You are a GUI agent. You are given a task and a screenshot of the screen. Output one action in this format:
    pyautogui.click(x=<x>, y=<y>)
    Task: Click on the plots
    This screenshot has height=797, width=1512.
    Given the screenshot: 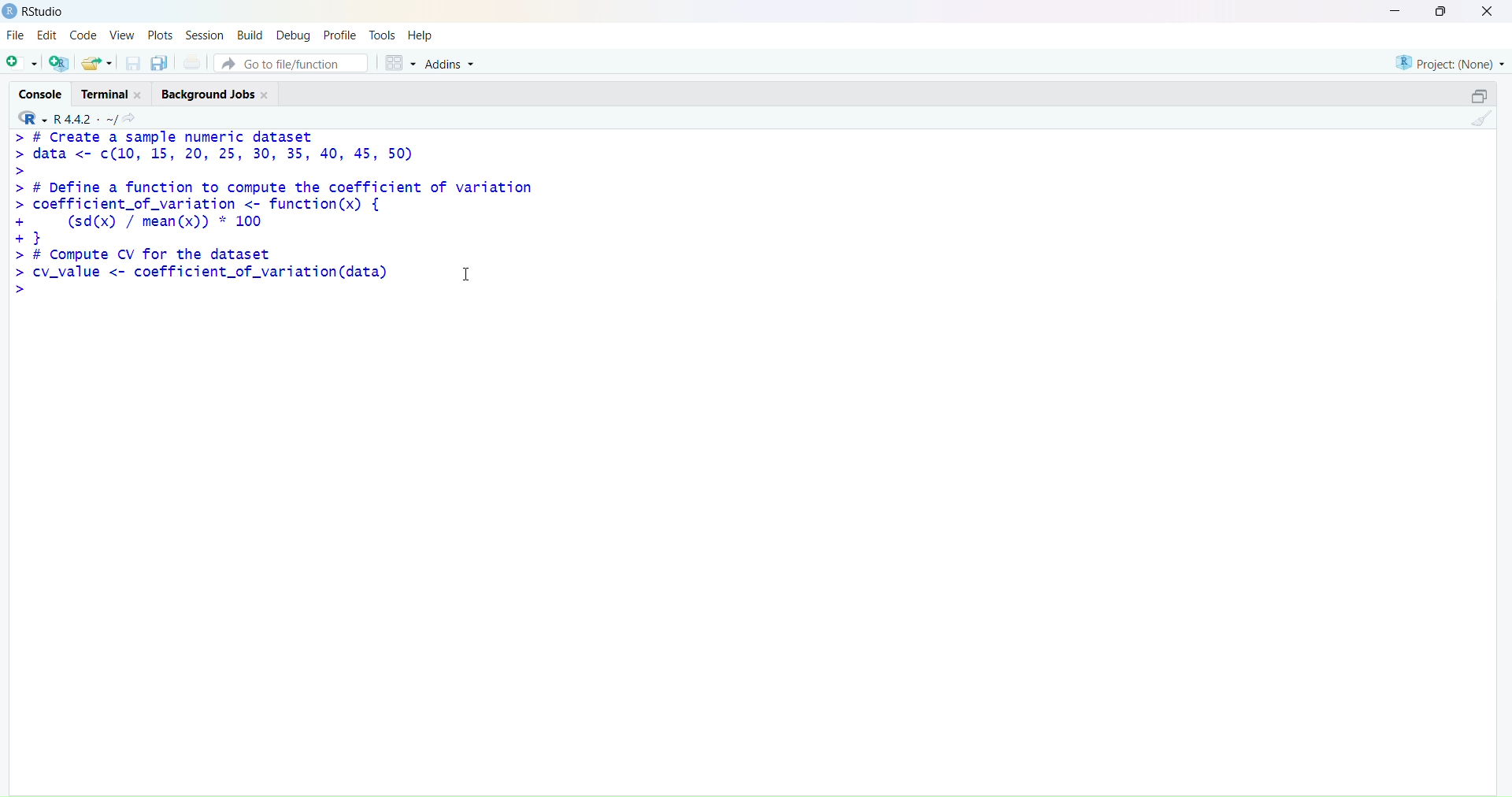 What is the action you would take?
    pyautogui.click(x=161, y=35)
    